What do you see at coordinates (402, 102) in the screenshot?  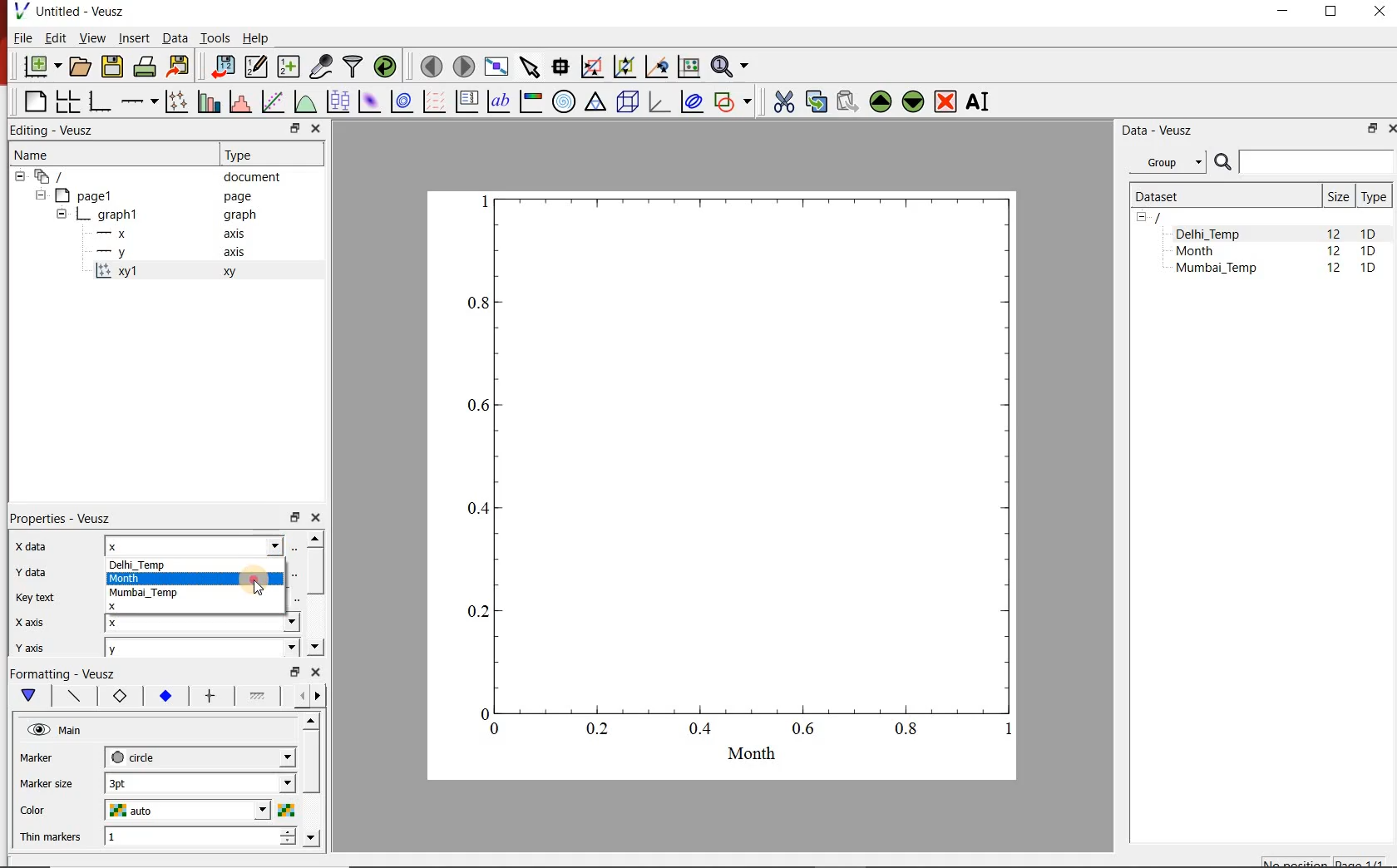 I see `plot a 2d dataset as contours` at bounding box center [402, 102].